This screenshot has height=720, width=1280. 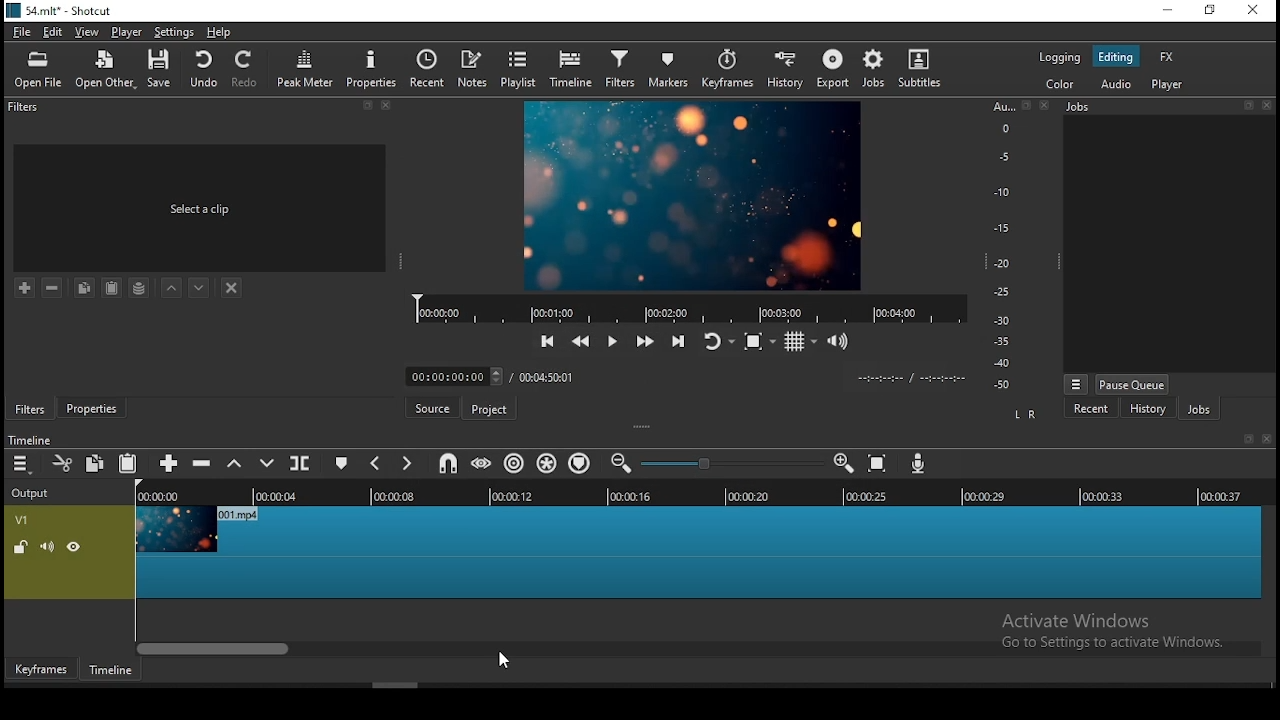 What do you see at coordinates (279, 496) in the screenshot?
I see `00:00:04` at bounding box center [279, 496].